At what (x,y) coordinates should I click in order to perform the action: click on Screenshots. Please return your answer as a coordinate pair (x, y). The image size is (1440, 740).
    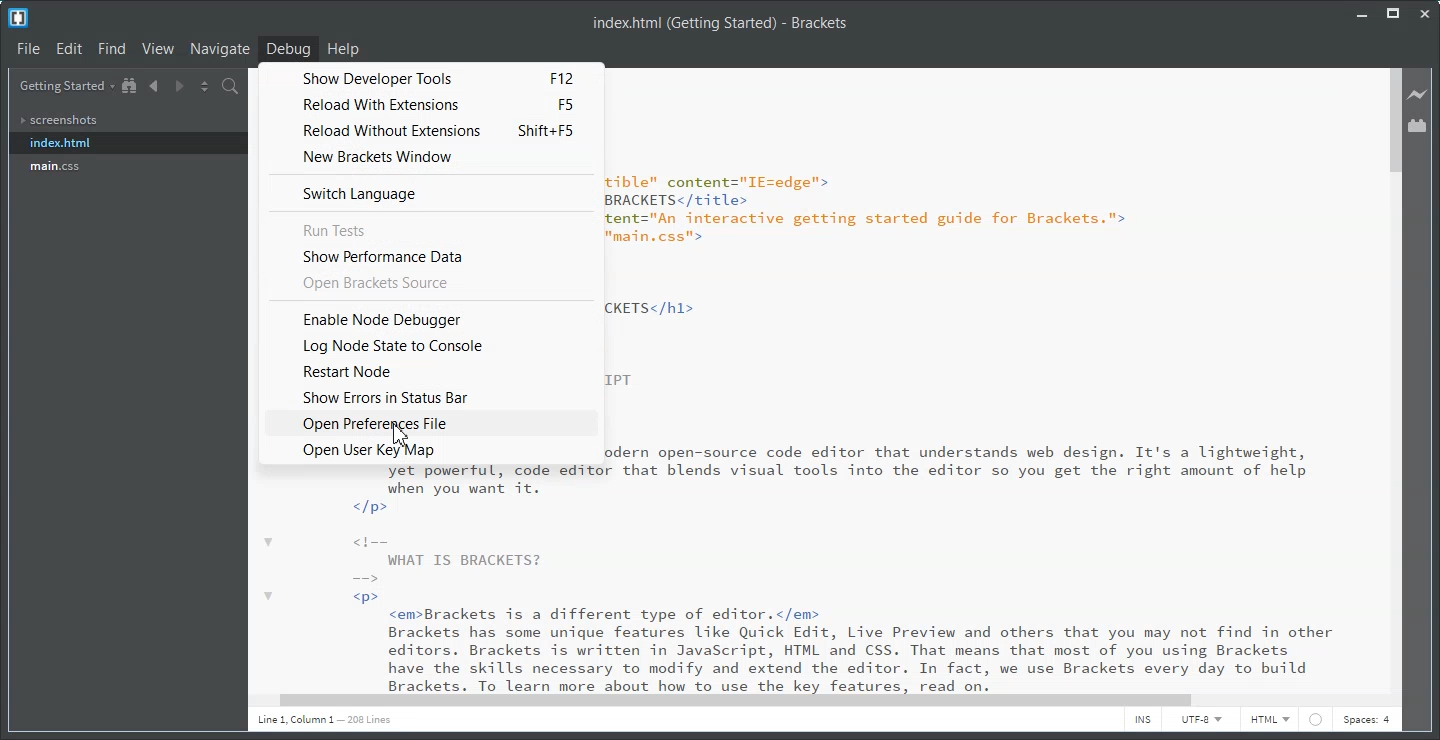
    Looking at the image, I should click on (127, 121).